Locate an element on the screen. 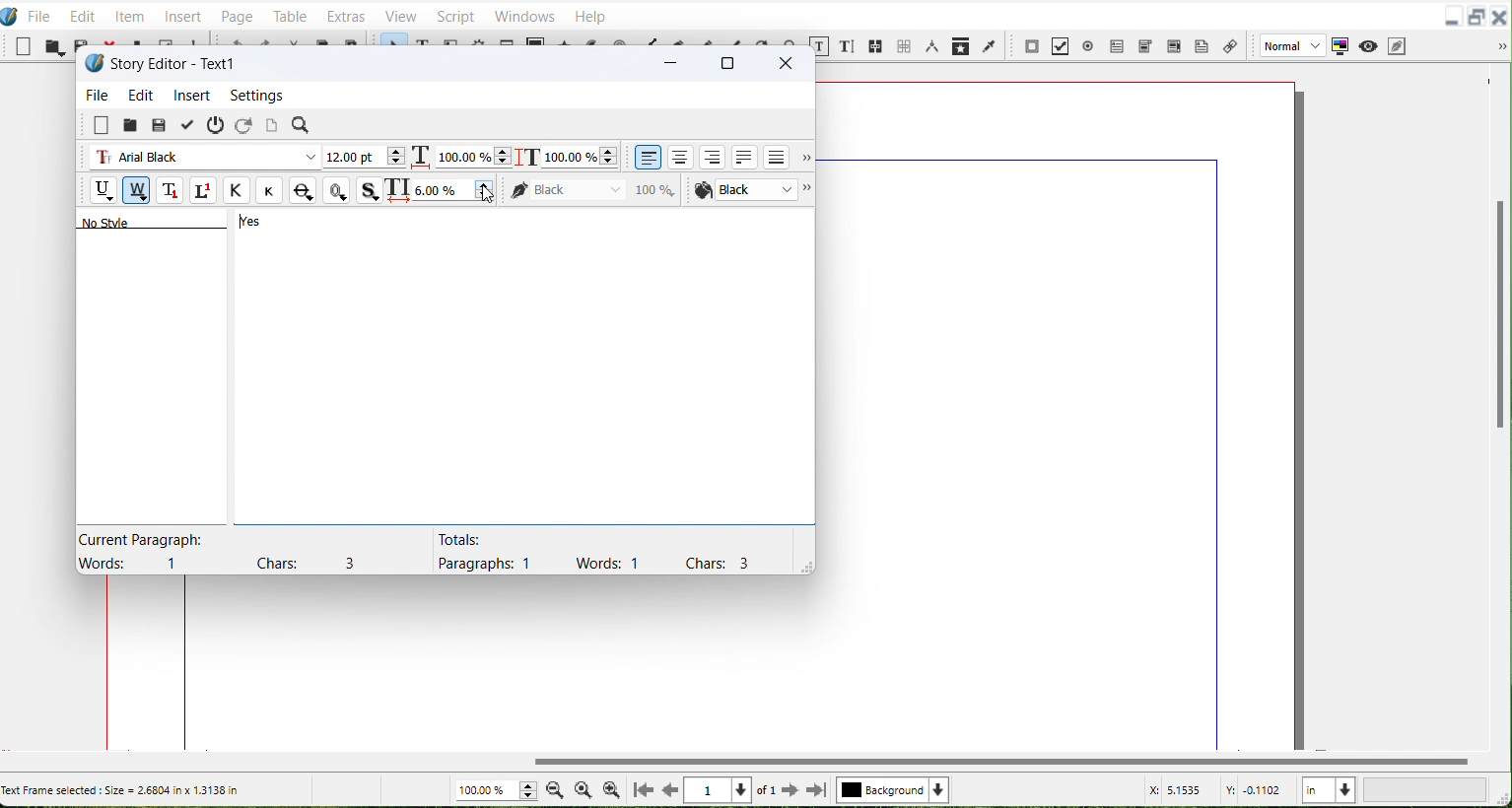  Search/Replace is located at coordinates (303, 124).